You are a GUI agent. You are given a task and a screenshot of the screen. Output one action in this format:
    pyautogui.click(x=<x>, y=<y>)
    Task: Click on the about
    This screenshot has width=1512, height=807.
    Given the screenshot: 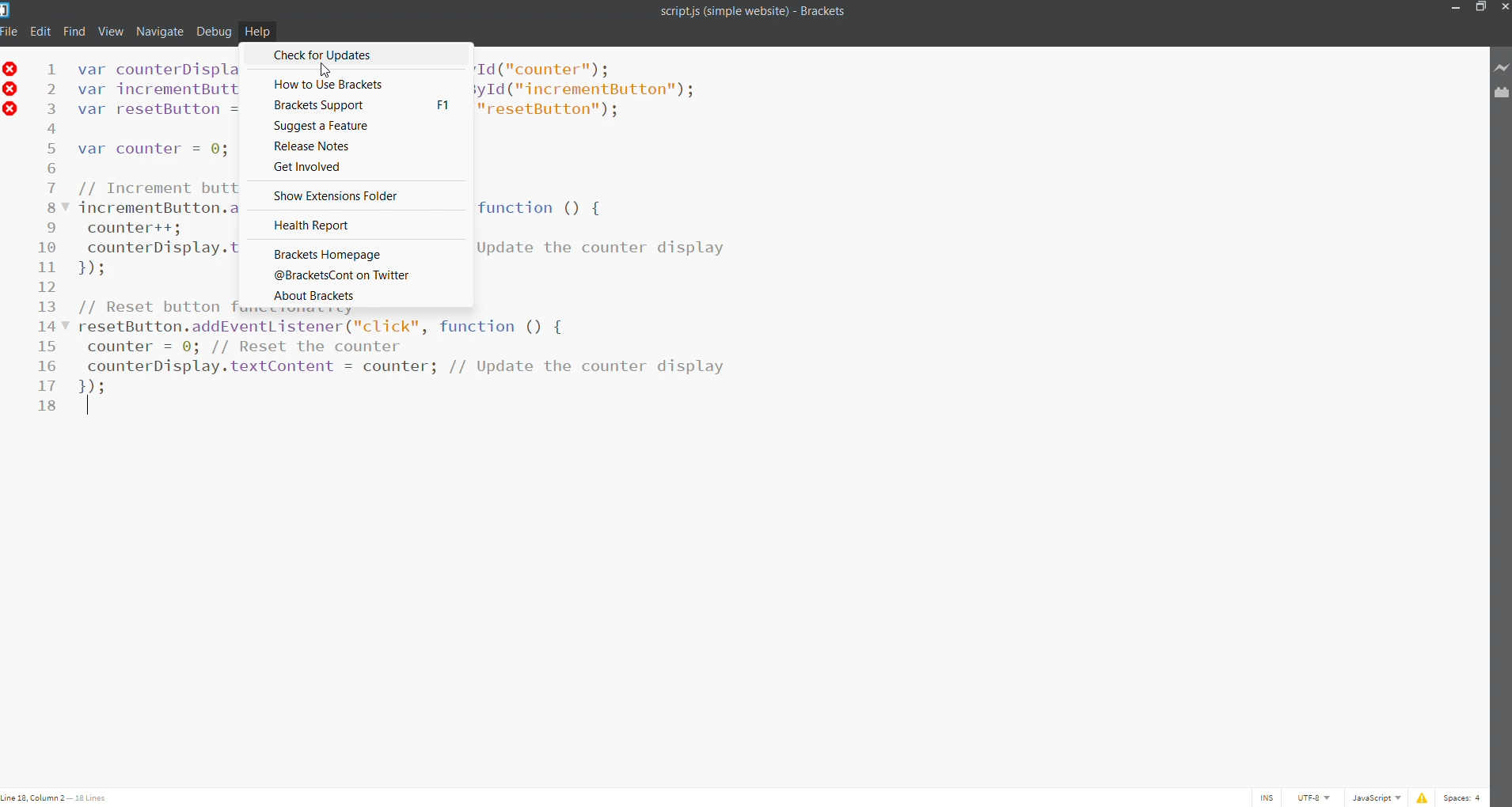 What is the action you would take?
    pyautogui.click(x=351, y=299)
    